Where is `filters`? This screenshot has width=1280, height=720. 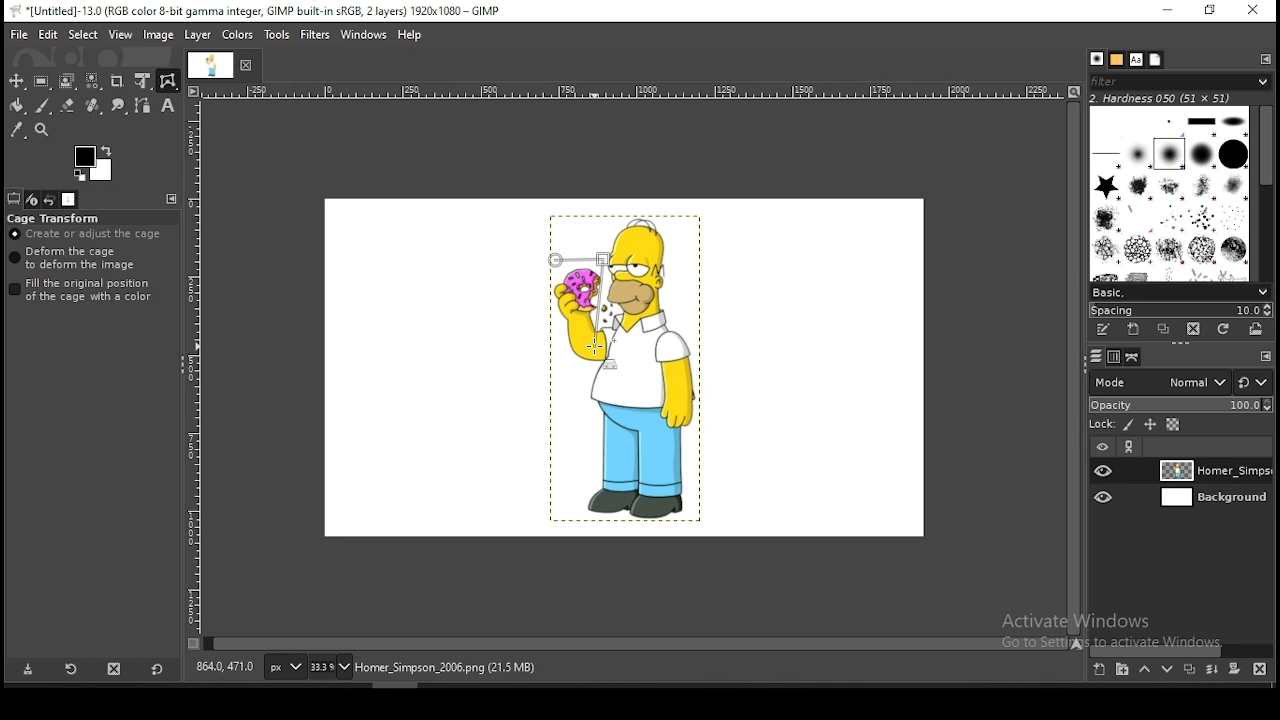
filters is located at coordinates (316, 35).